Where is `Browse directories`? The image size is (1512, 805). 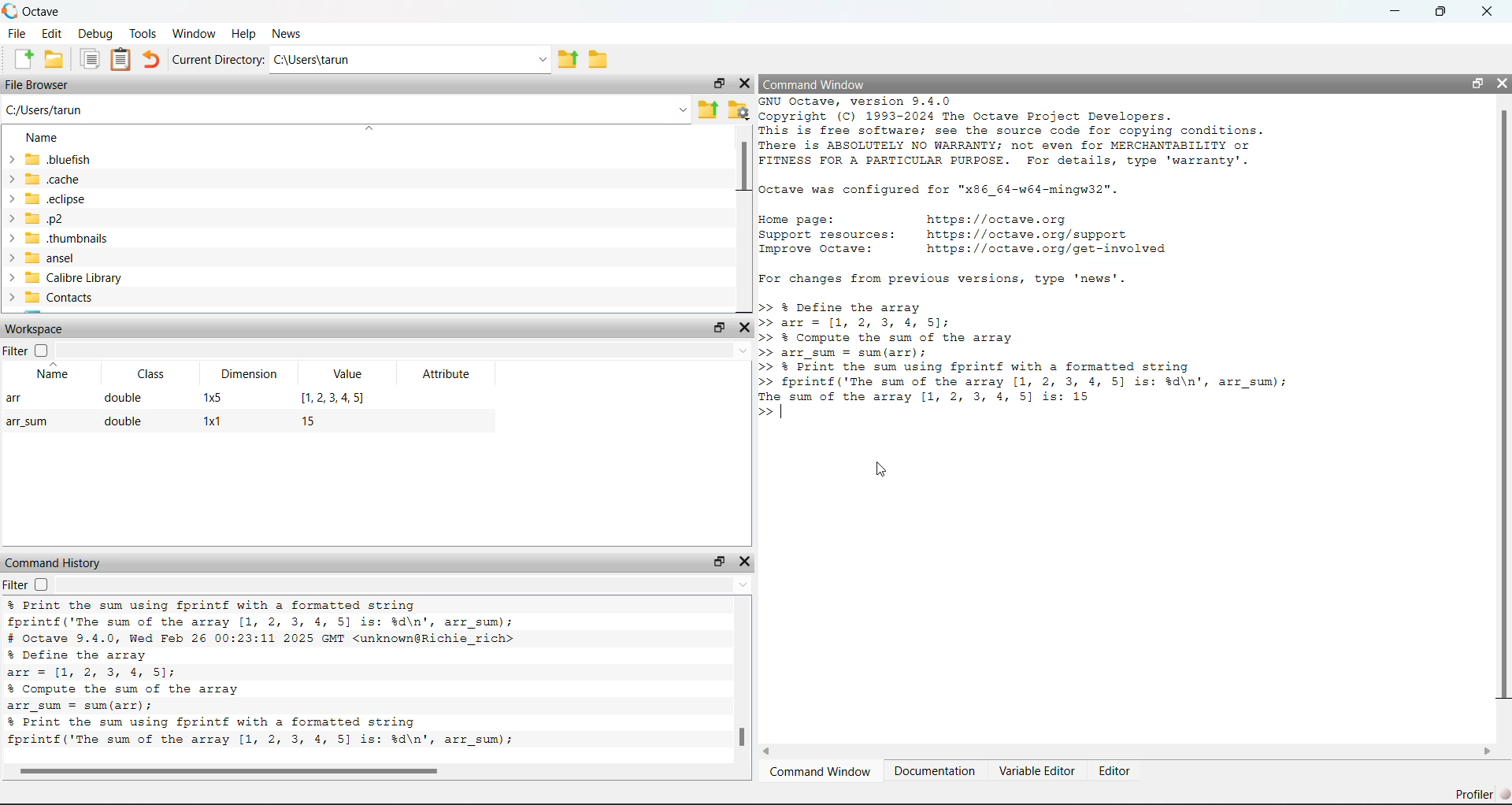
Browse directories is located at coordinates (598, 57).